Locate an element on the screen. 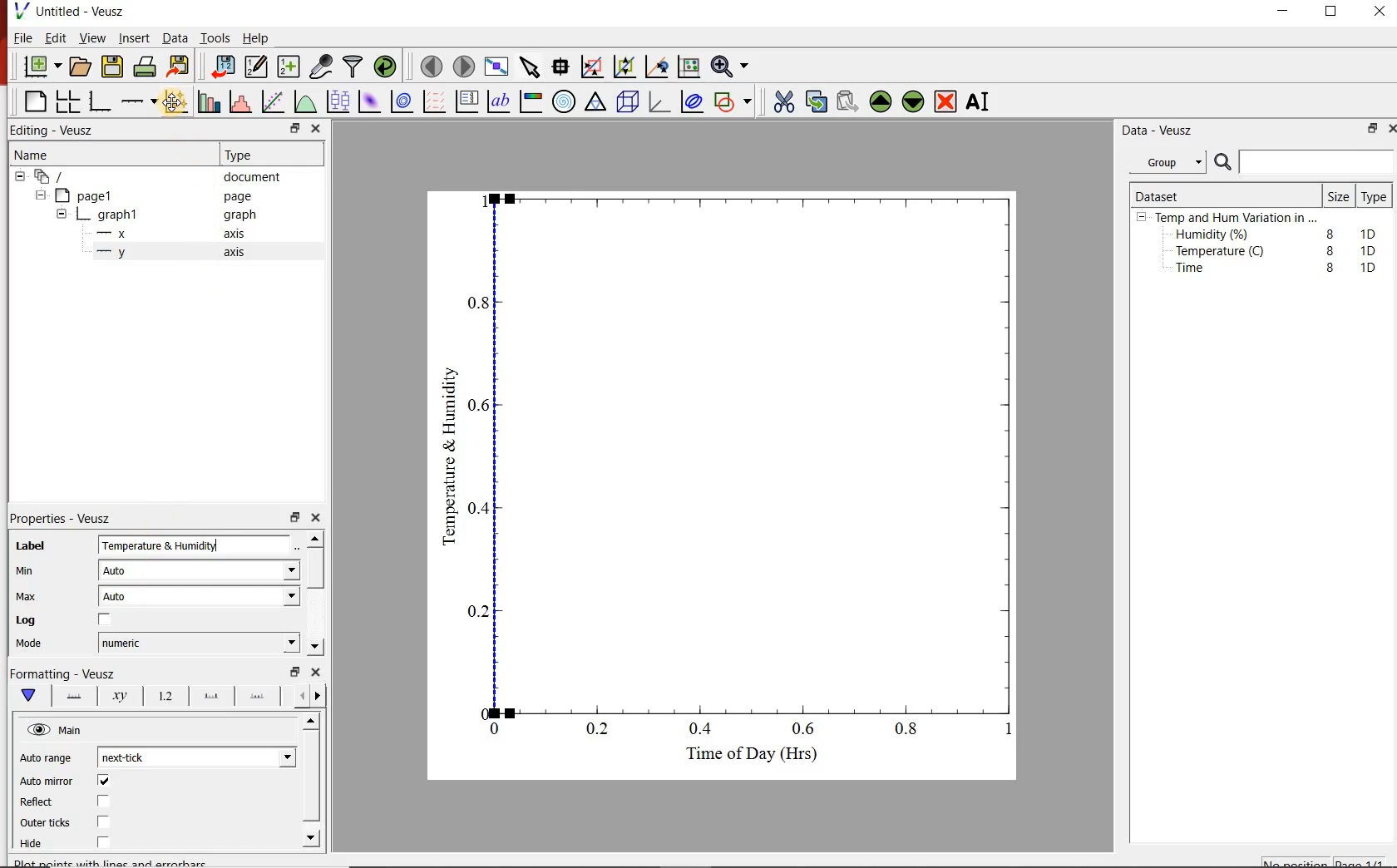  0.8 is located at coordinates (479, 302).